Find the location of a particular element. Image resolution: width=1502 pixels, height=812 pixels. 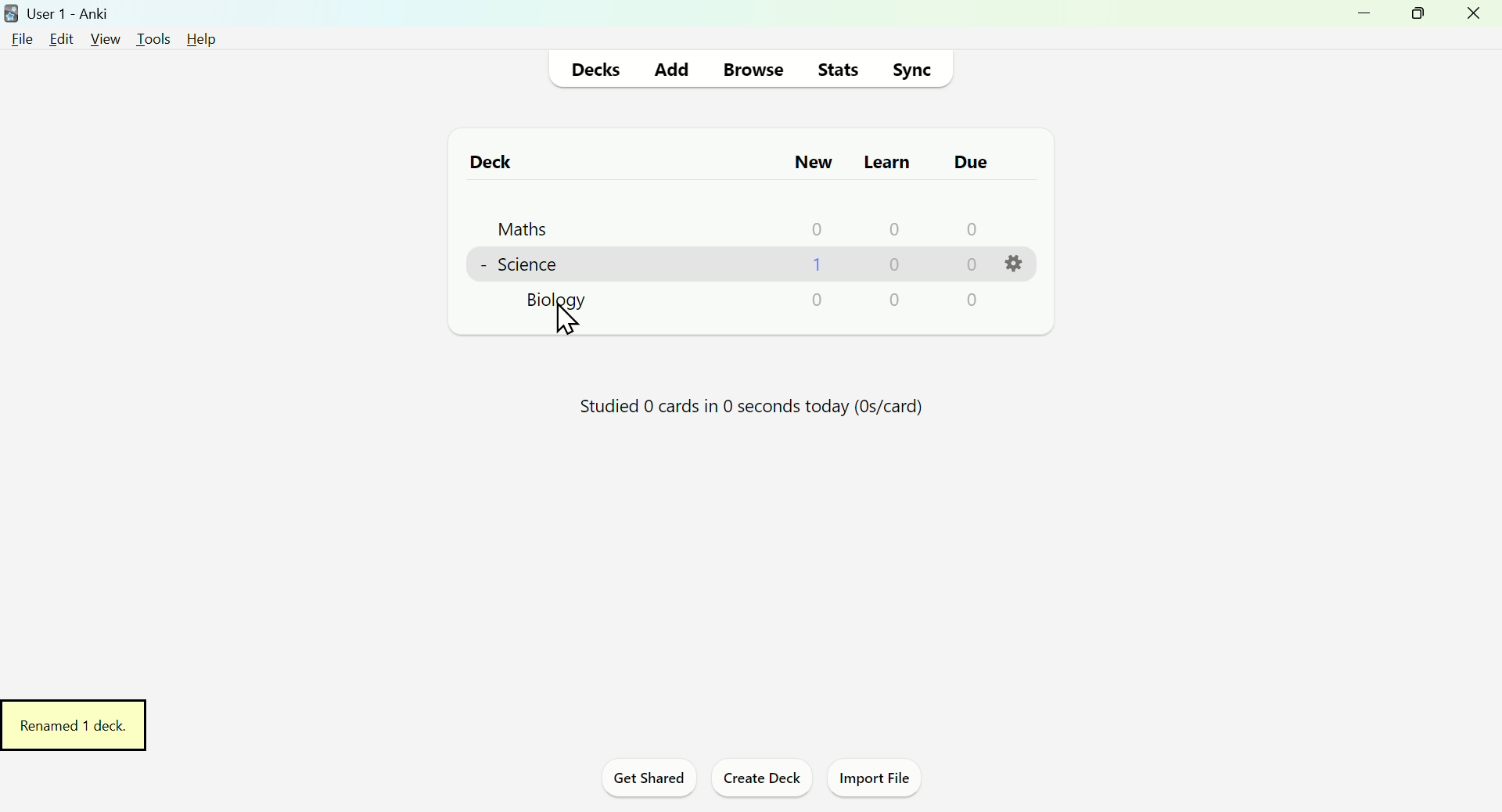

0 is located at coordinates (817, 228).